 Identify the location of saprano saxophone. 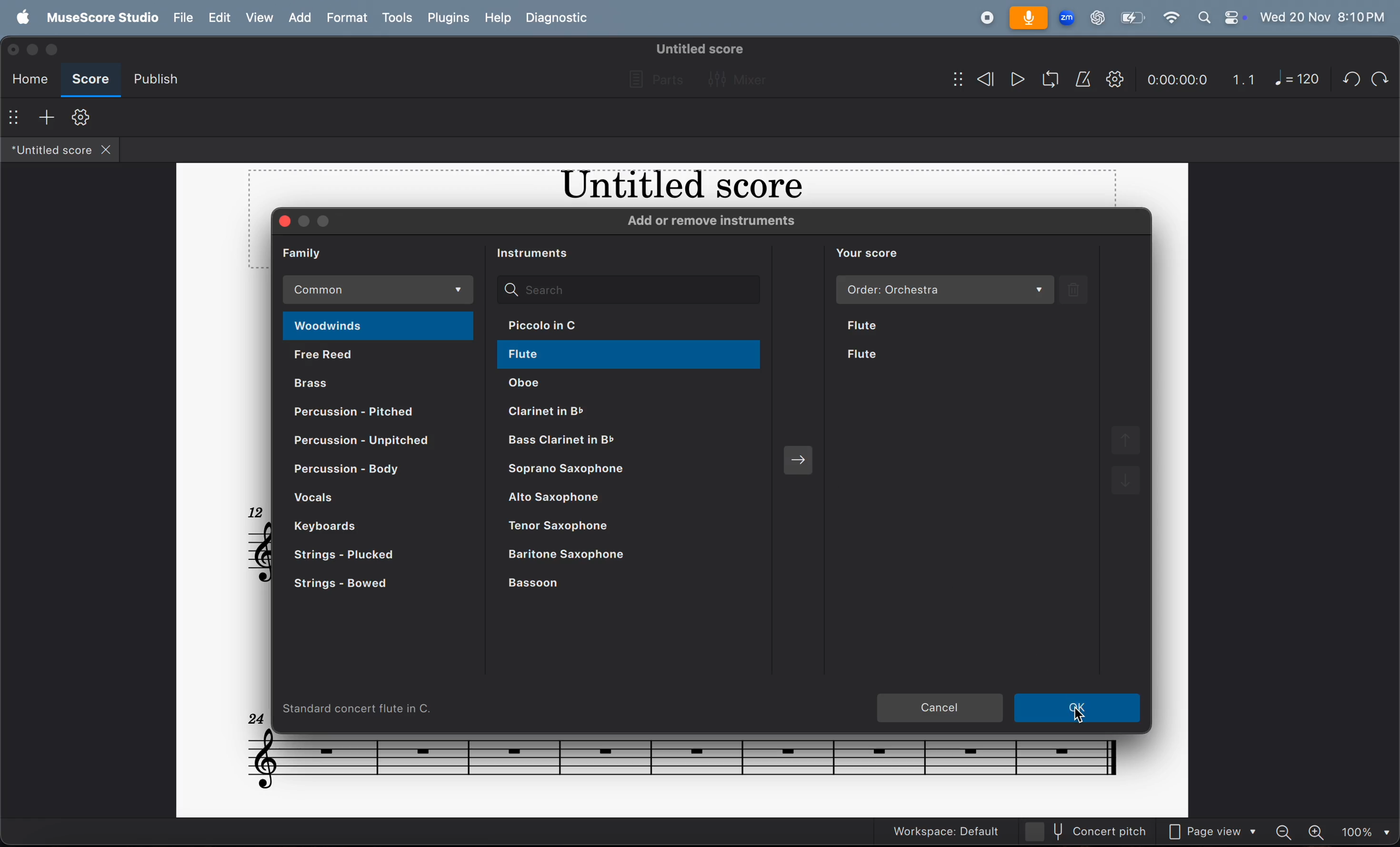
(636, 471).